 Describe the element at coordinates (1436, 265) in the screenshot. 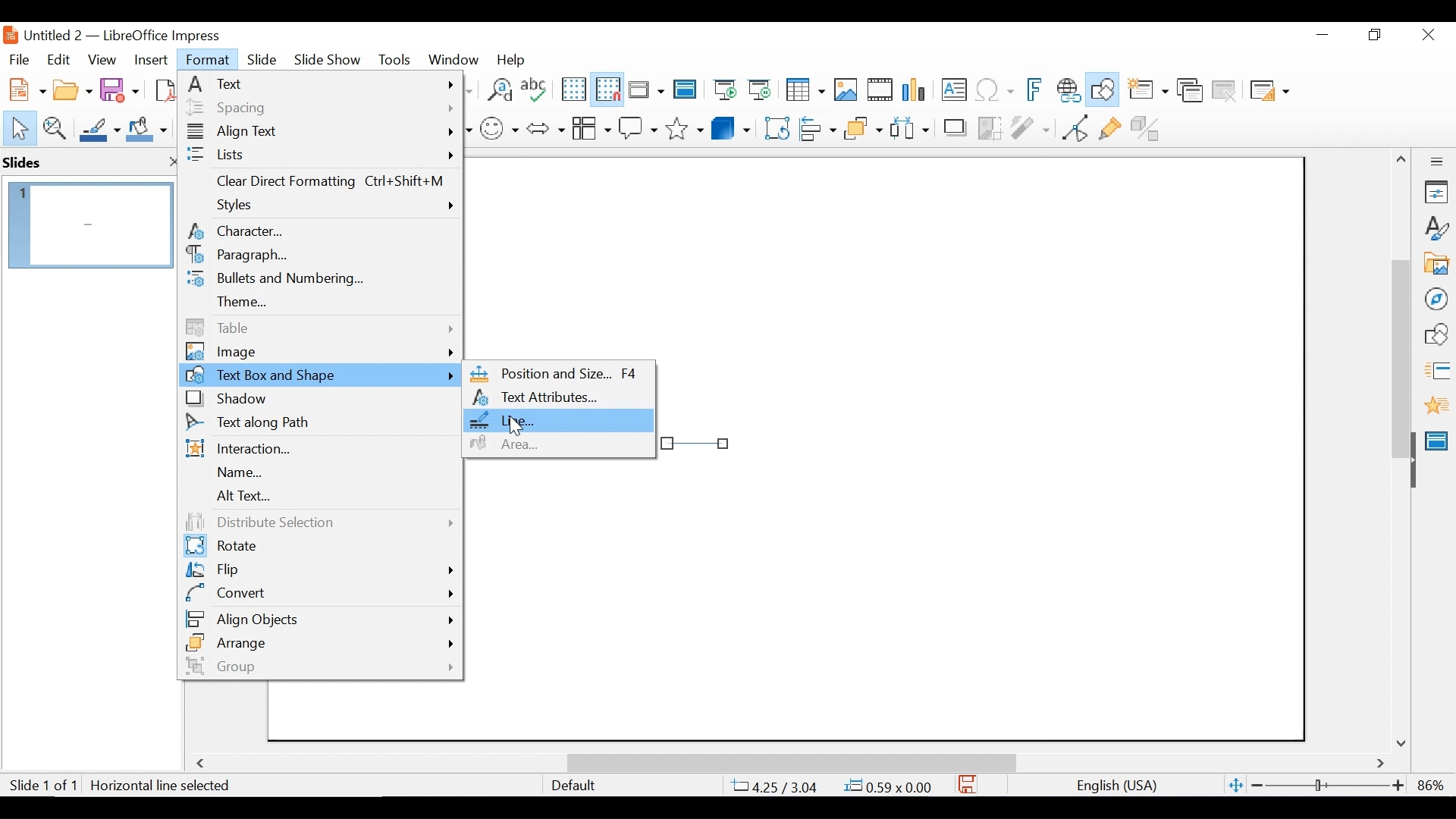

I see `Galler` at that location.